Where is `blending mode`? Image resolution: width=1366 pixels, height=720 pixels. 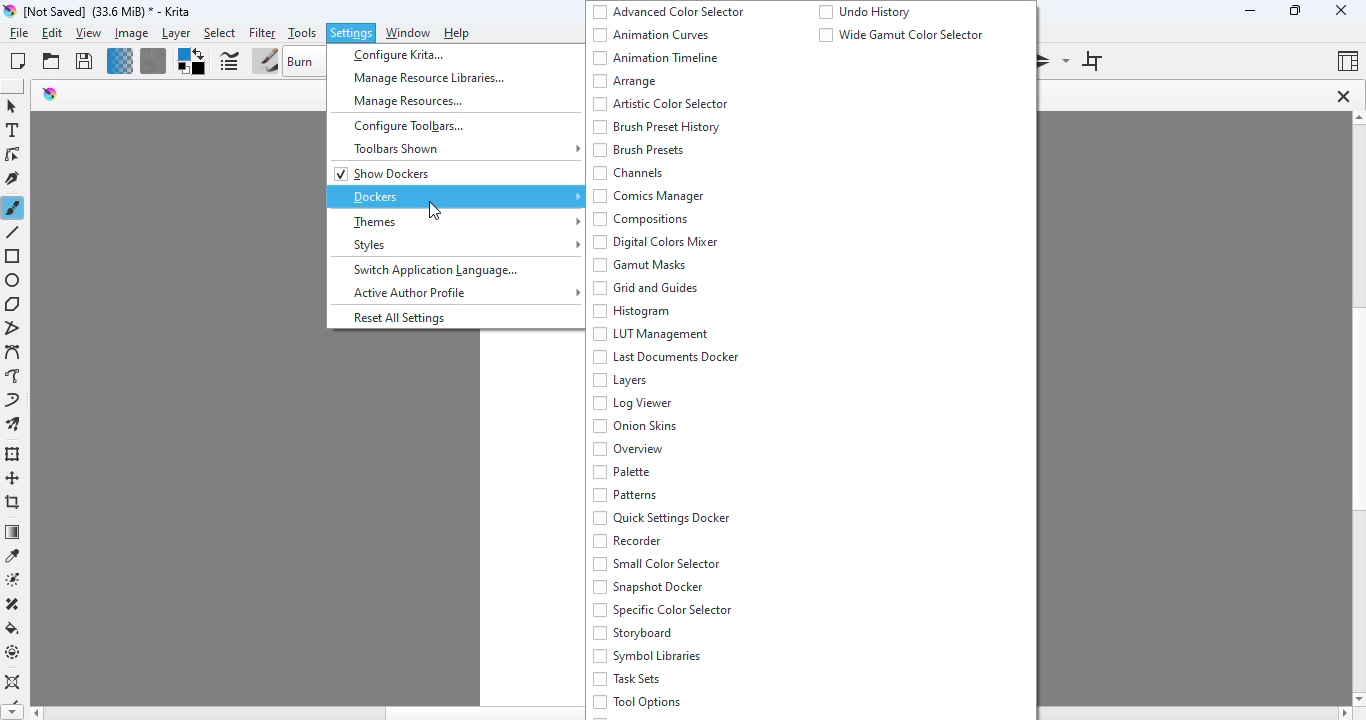
blending mode is located at coordinates (305, 61).